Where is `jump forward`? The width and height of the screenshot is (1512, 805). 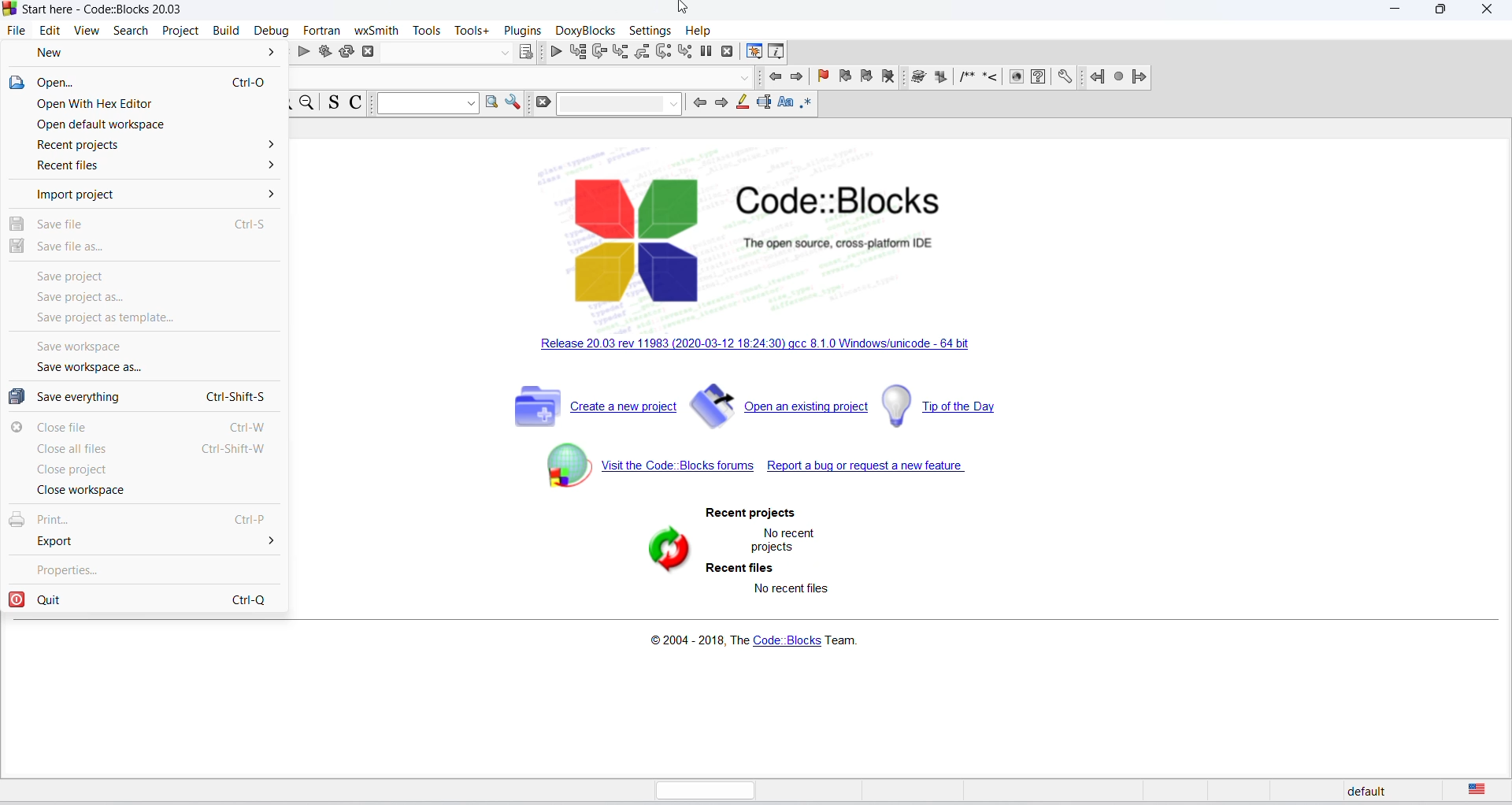 jump forward is located at coordinates (1138, 76).